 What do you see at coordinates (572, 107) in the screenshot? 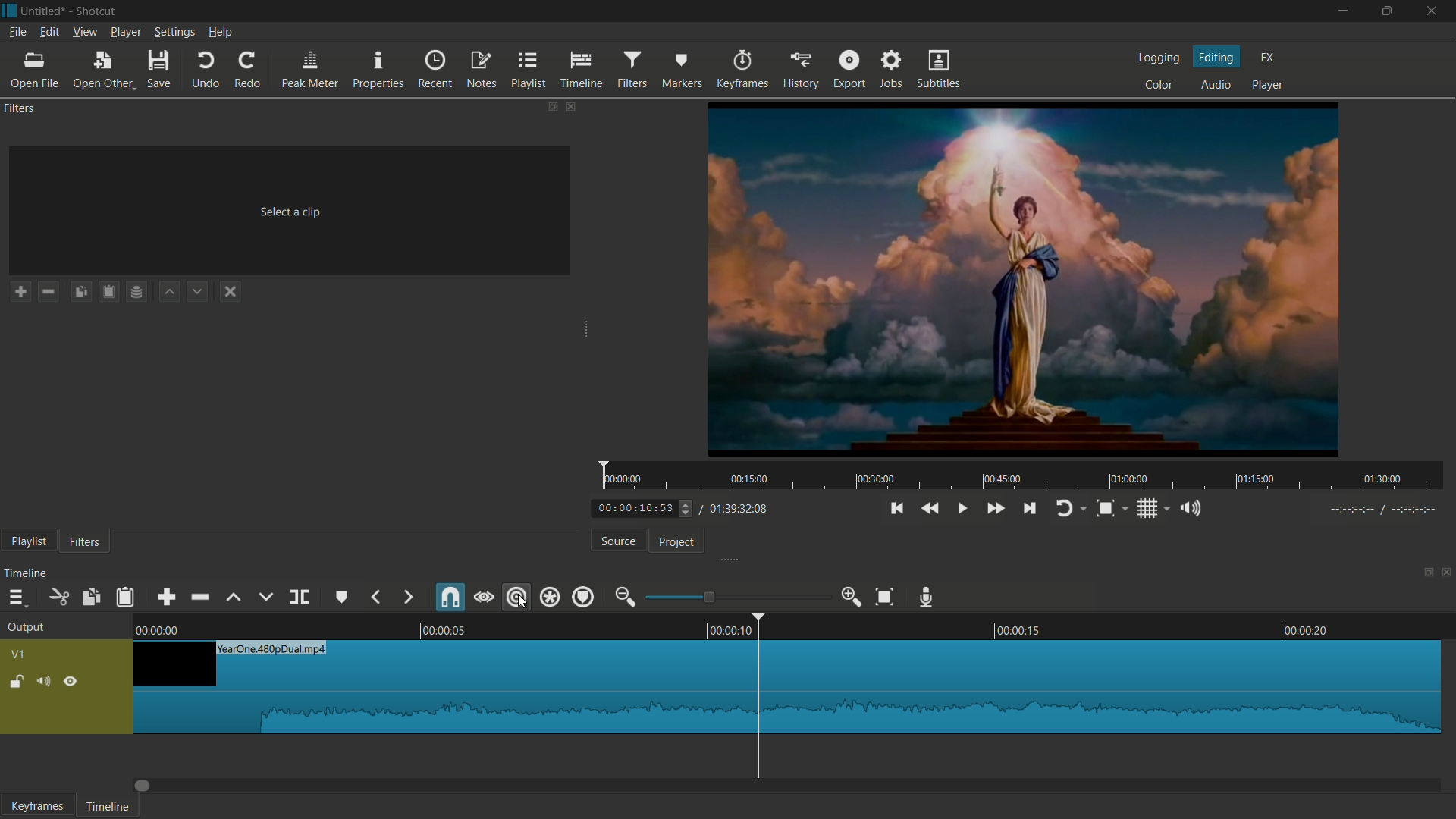
I see `close filters` at bounding box center [572, 107].